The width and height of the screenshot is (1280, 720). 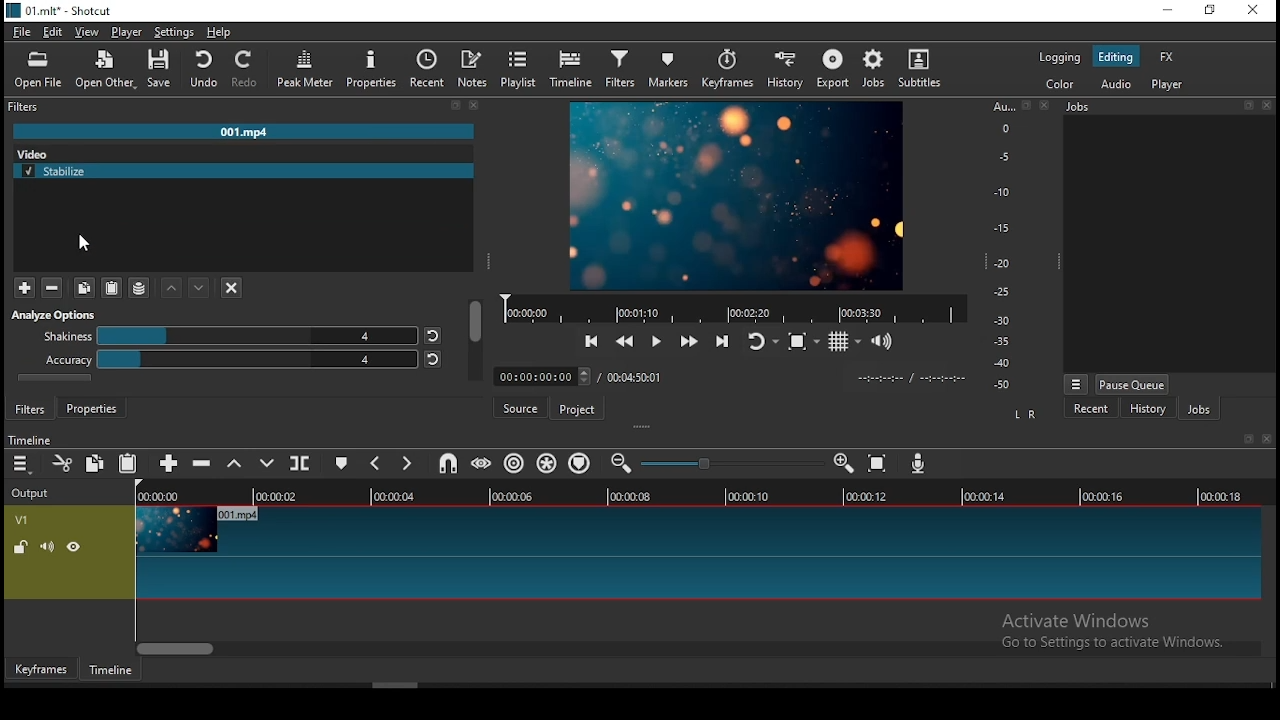 What do you see at coordinates (99, 462) in the screenshot?
I see `copy` at bounding box center [99, 462].